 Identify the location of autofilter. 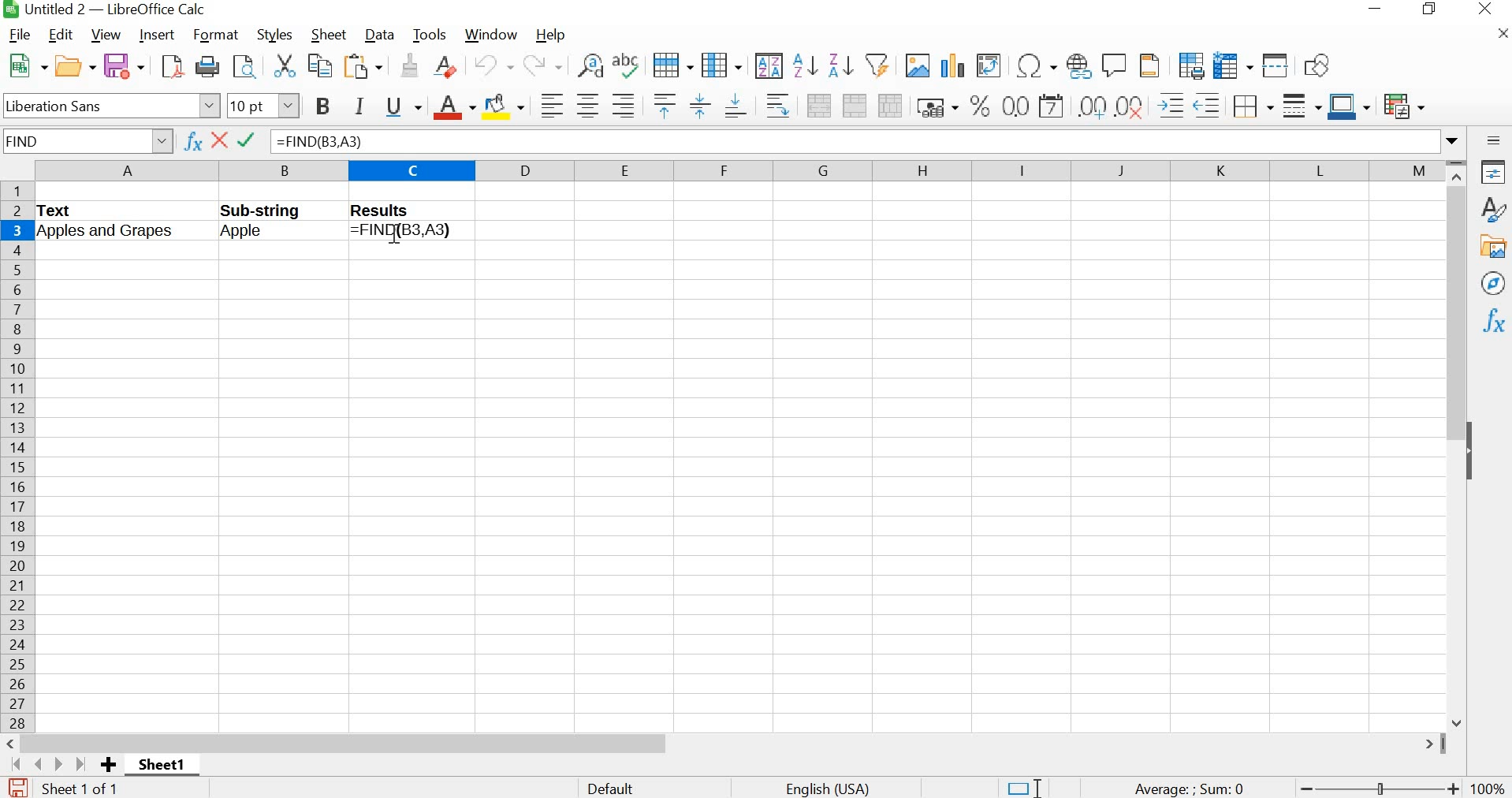
(877, 67).